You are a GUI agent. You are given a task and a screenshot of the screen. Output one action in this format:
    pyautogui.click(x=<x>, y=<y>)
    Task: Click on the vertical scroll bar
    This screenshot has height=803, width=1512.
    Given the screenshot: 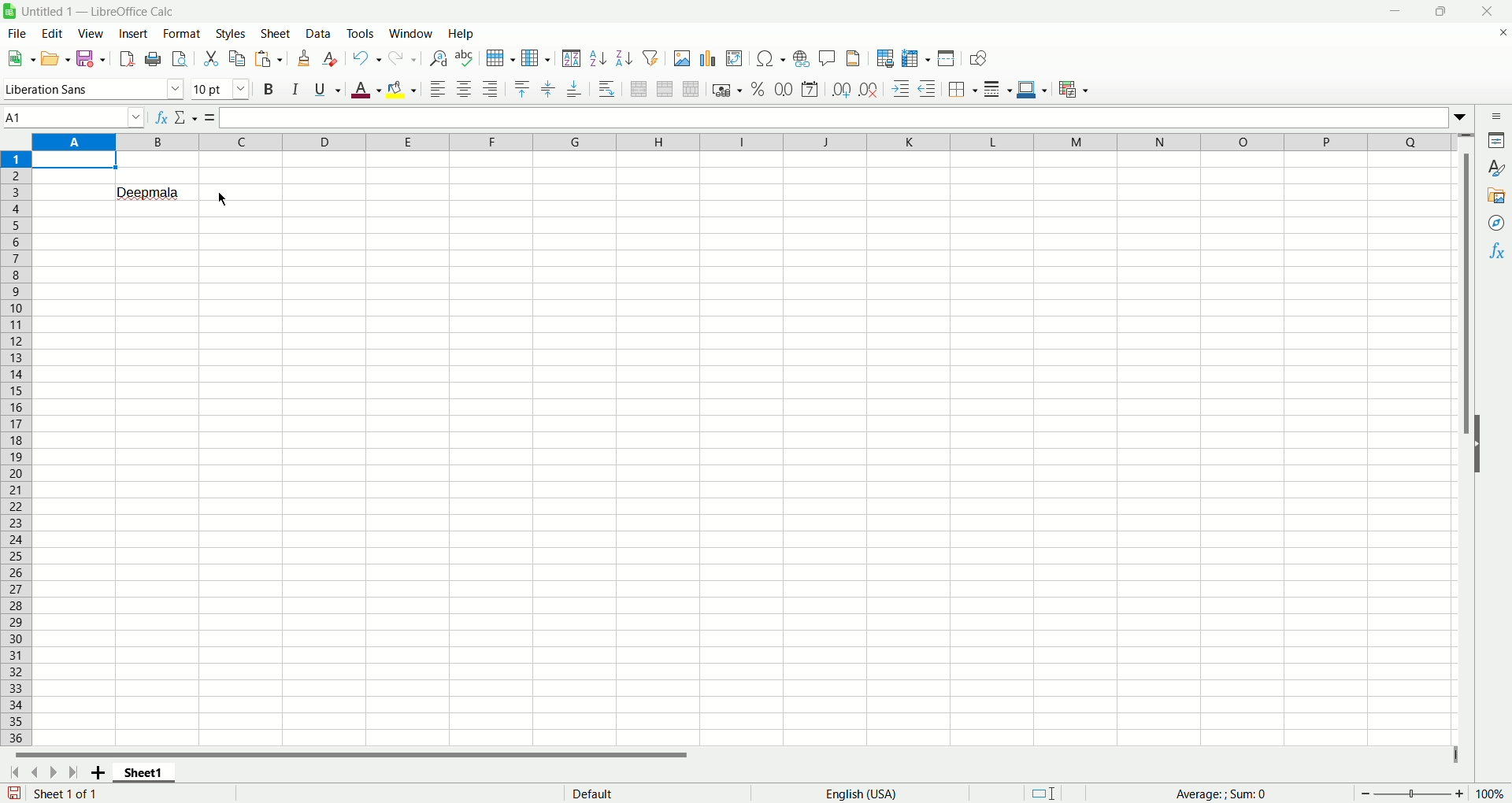 What is the action you would take?
    pyautogui.click(x=1469, y=439)
    